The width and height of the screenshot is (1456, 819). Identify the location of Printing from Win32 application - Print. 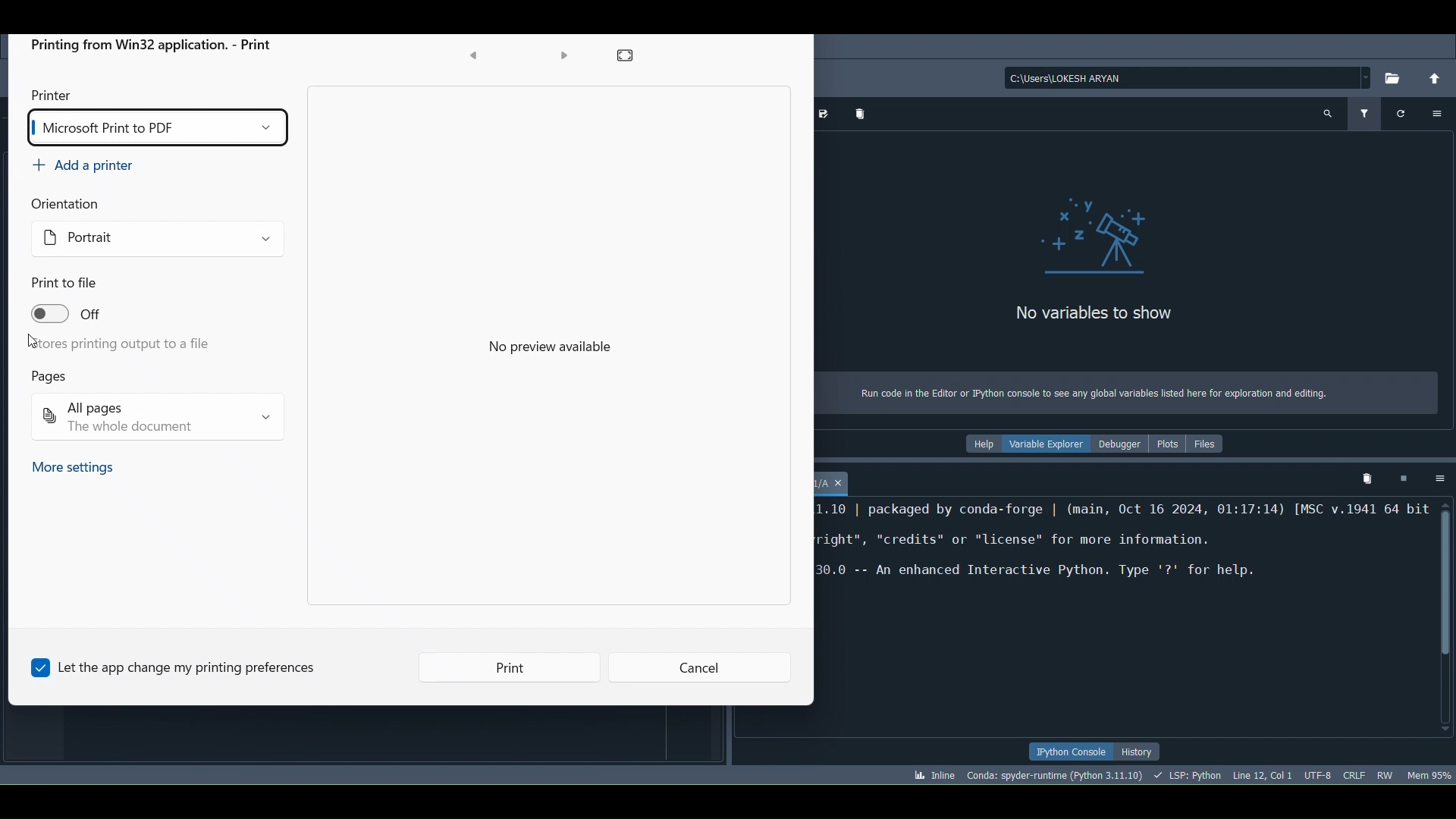
(156, 47).